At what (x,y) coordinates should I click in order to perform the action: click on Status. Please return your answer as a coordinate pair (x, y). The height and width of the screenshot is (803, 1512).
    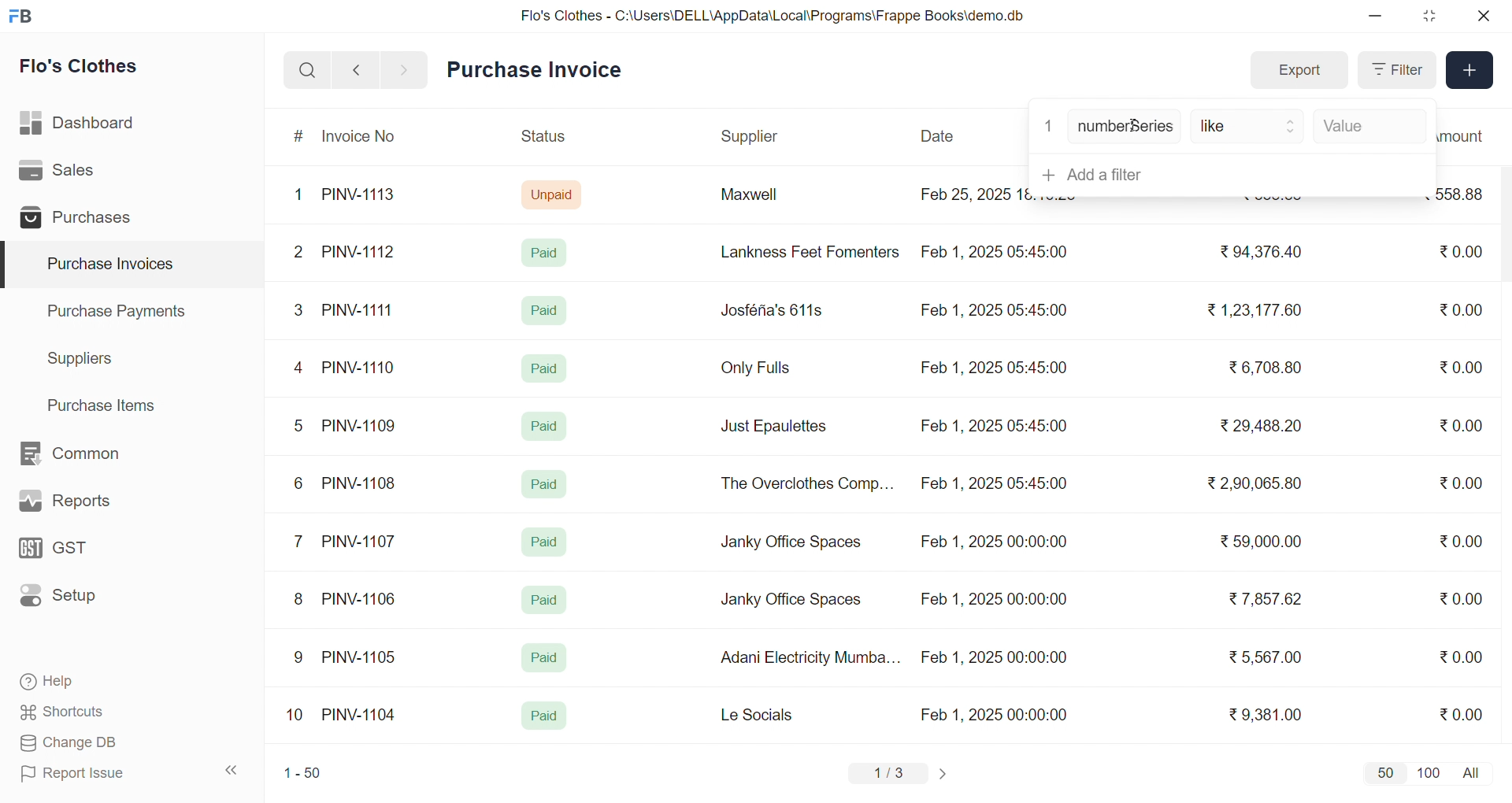
    Looking at the image, I should click on (542, 139).